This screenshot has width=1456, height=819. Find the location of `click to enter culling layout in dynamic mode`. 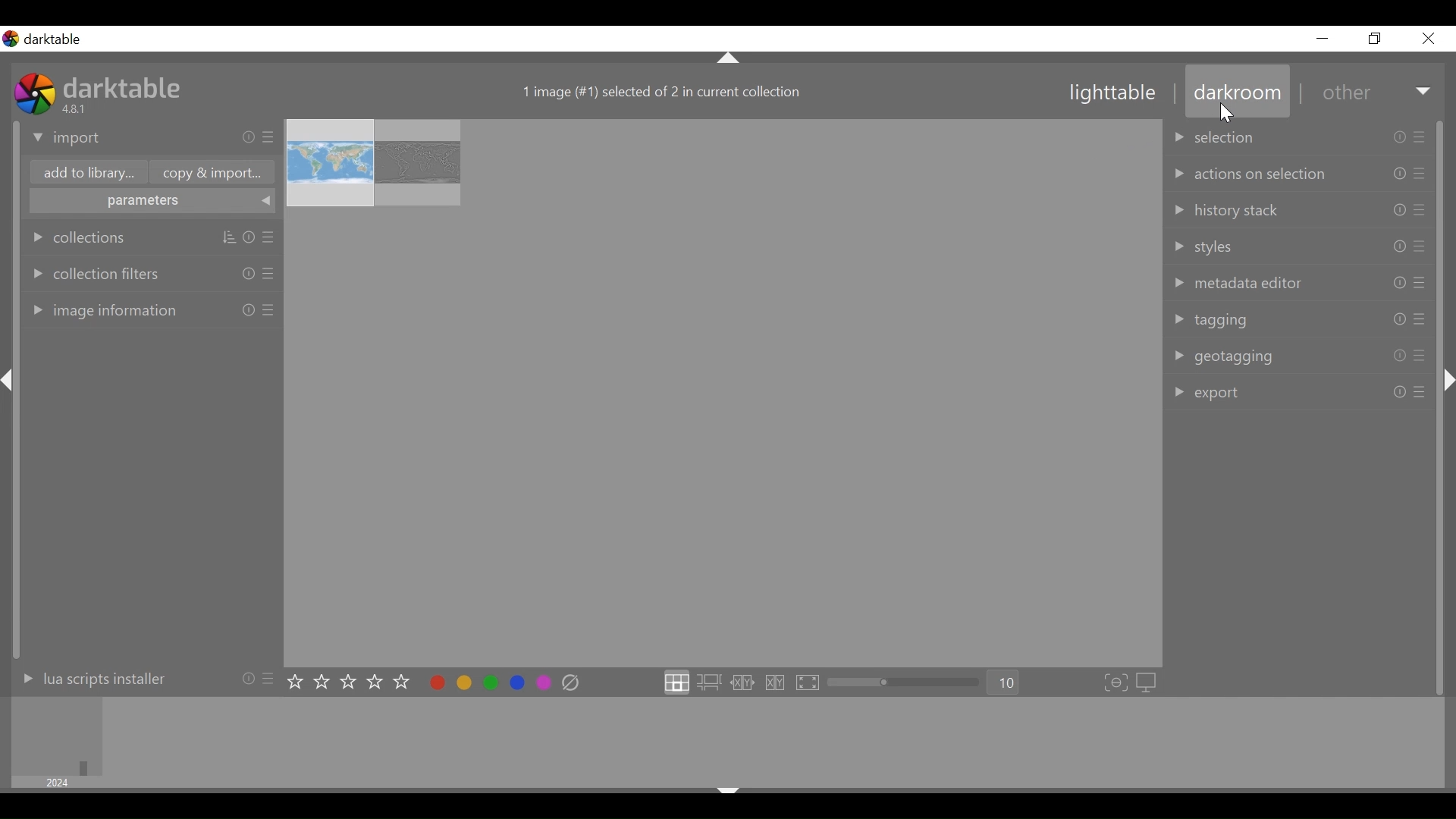

click to enter culling layout in dynamic mode is located at coordinates (777, 683).